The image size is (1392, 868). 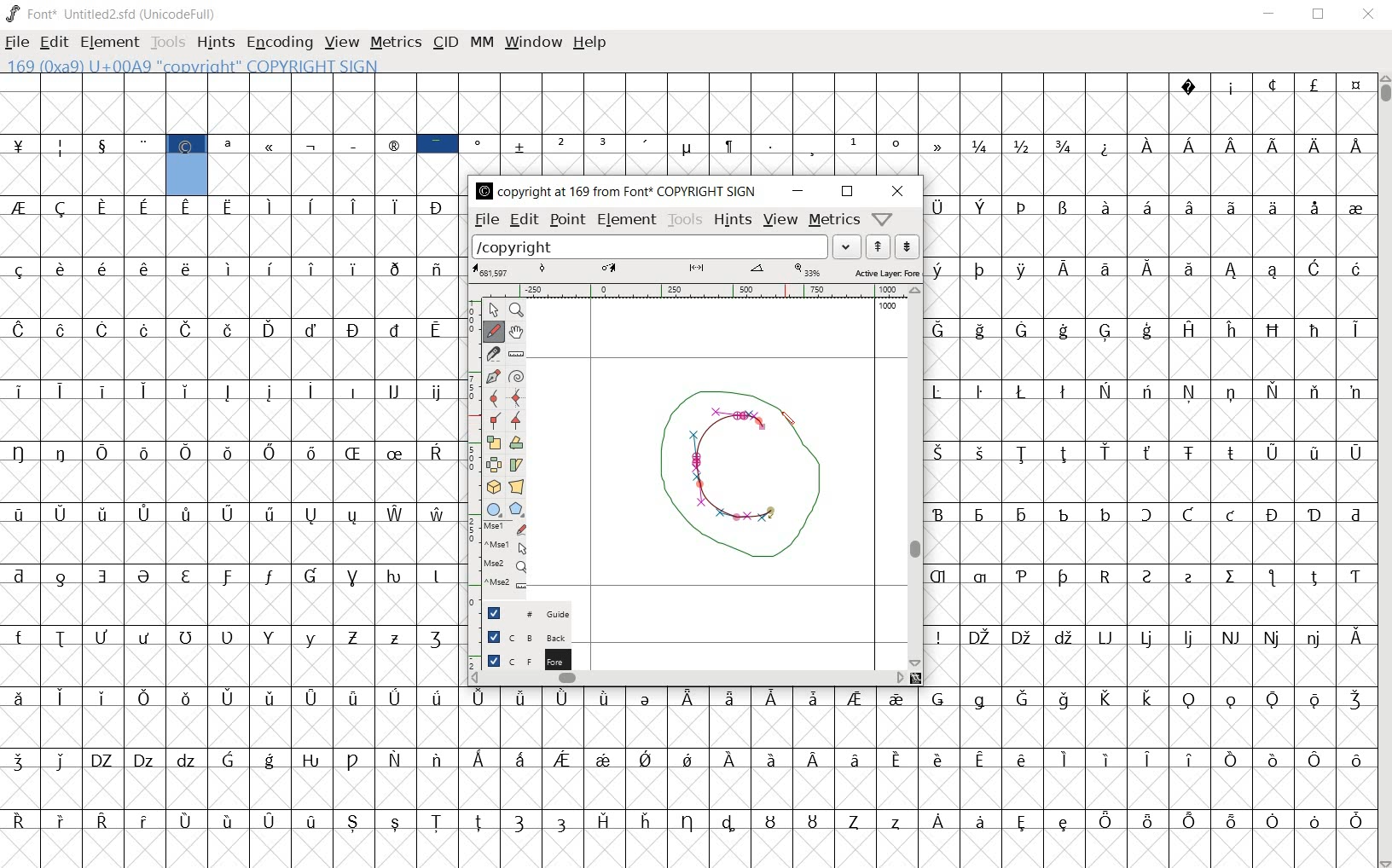 I want to click on view, so click(x=342, y=43).